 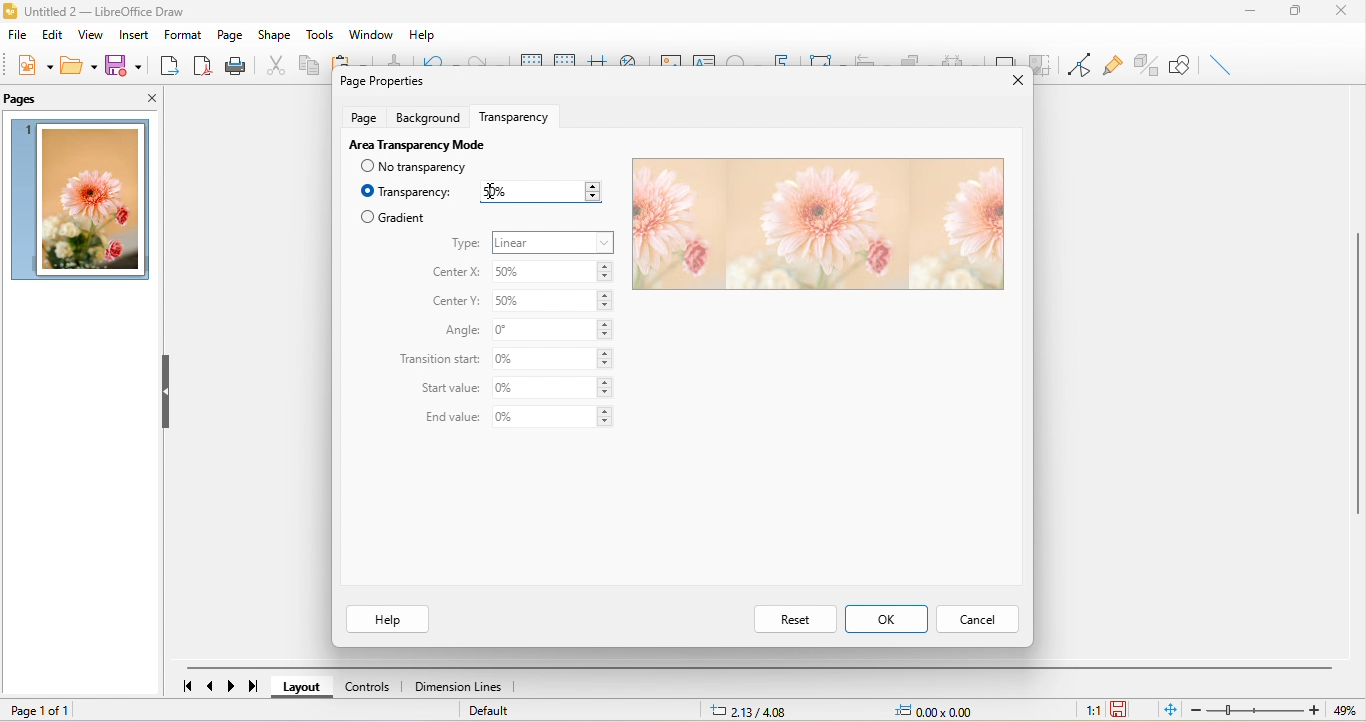 I want to click on page properties, so click(x=380, y=80).